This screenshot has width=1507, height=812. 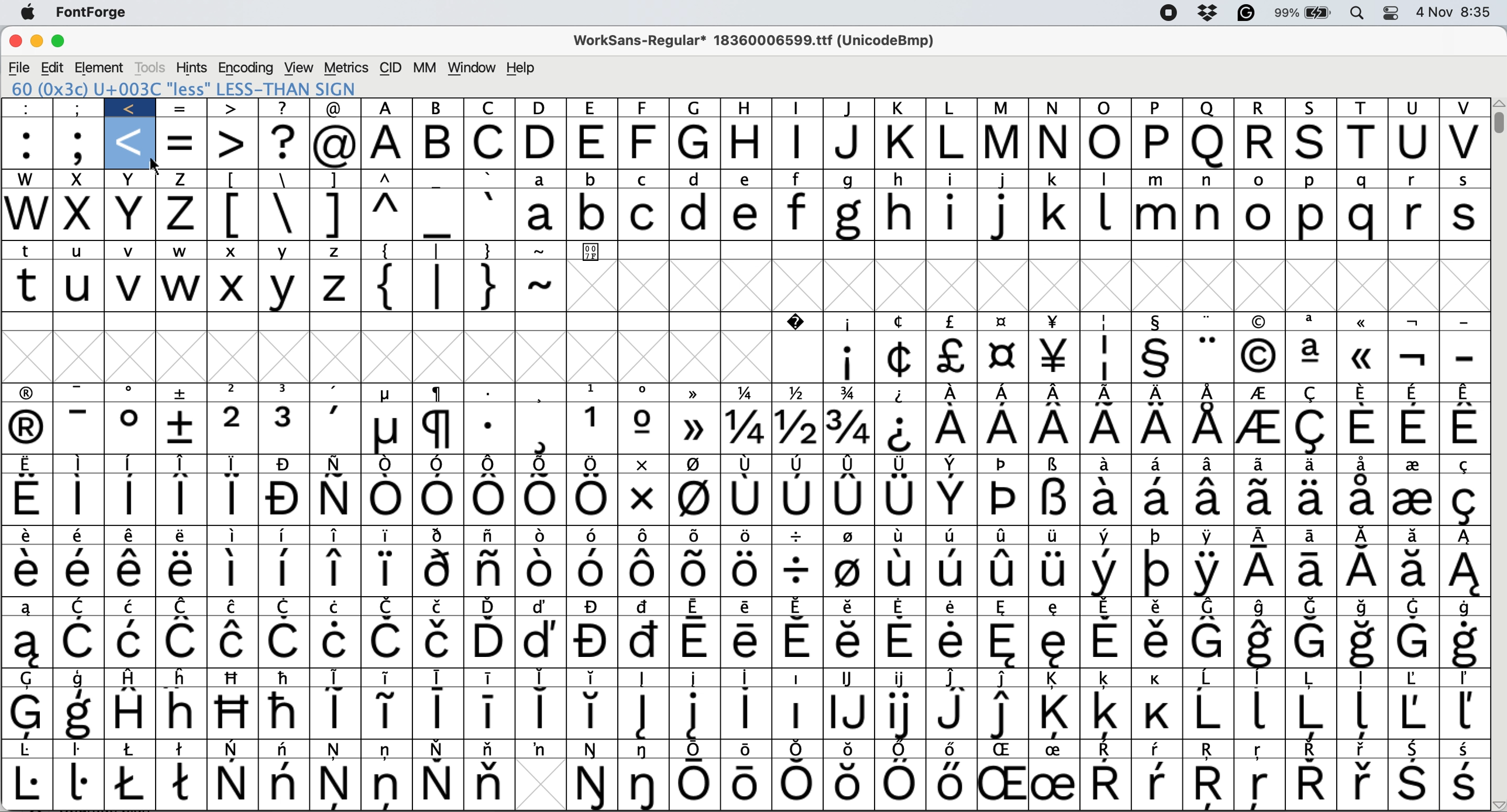 What do you see at coordinates (1107, 107) in the screenshot?
I see `o` at bounding box center [1107, 107].